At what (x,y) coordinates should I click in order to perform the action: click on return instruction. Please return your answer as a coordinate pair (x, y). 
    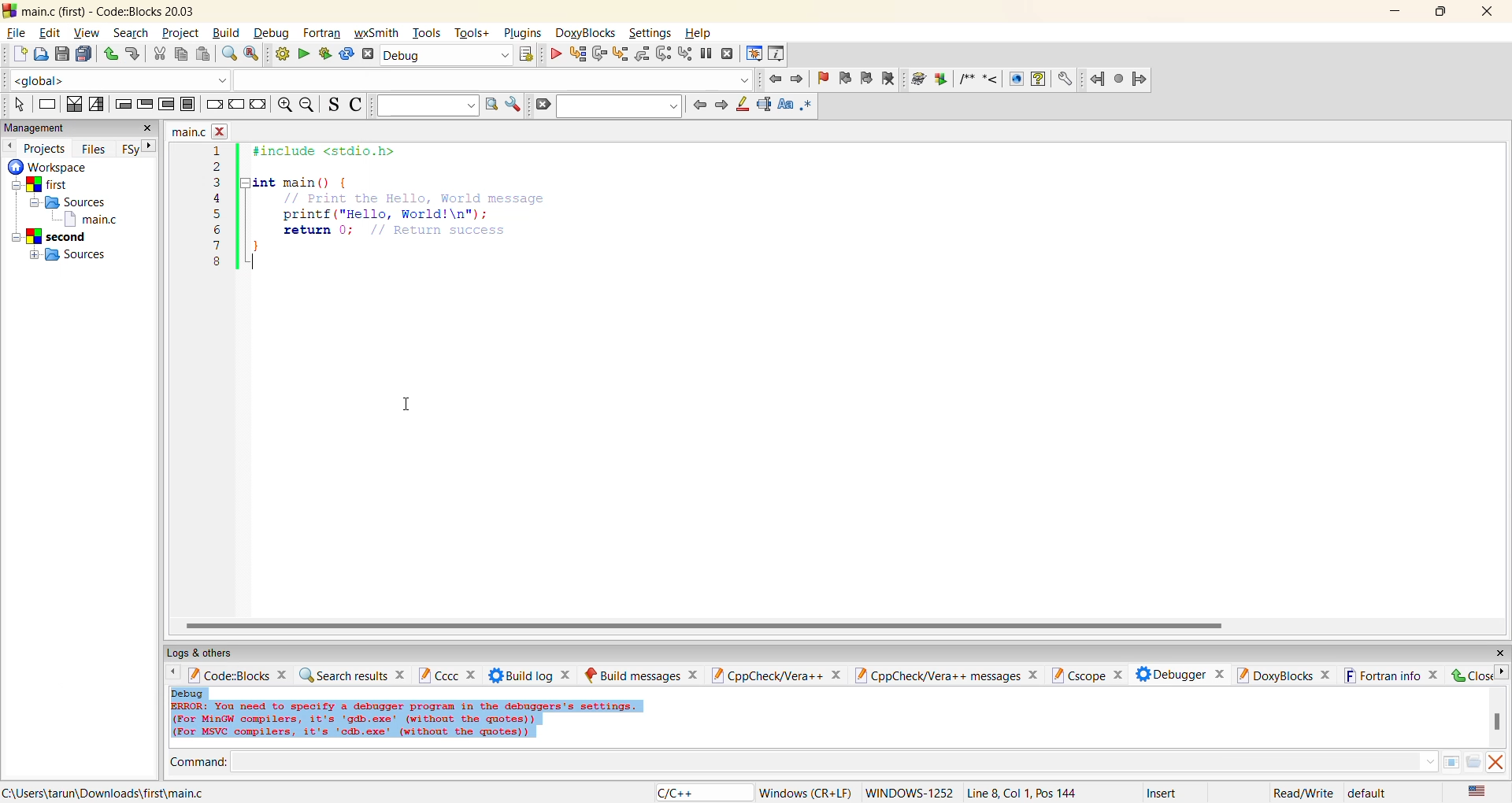
    Looking at the image, I should click on (258, 105).